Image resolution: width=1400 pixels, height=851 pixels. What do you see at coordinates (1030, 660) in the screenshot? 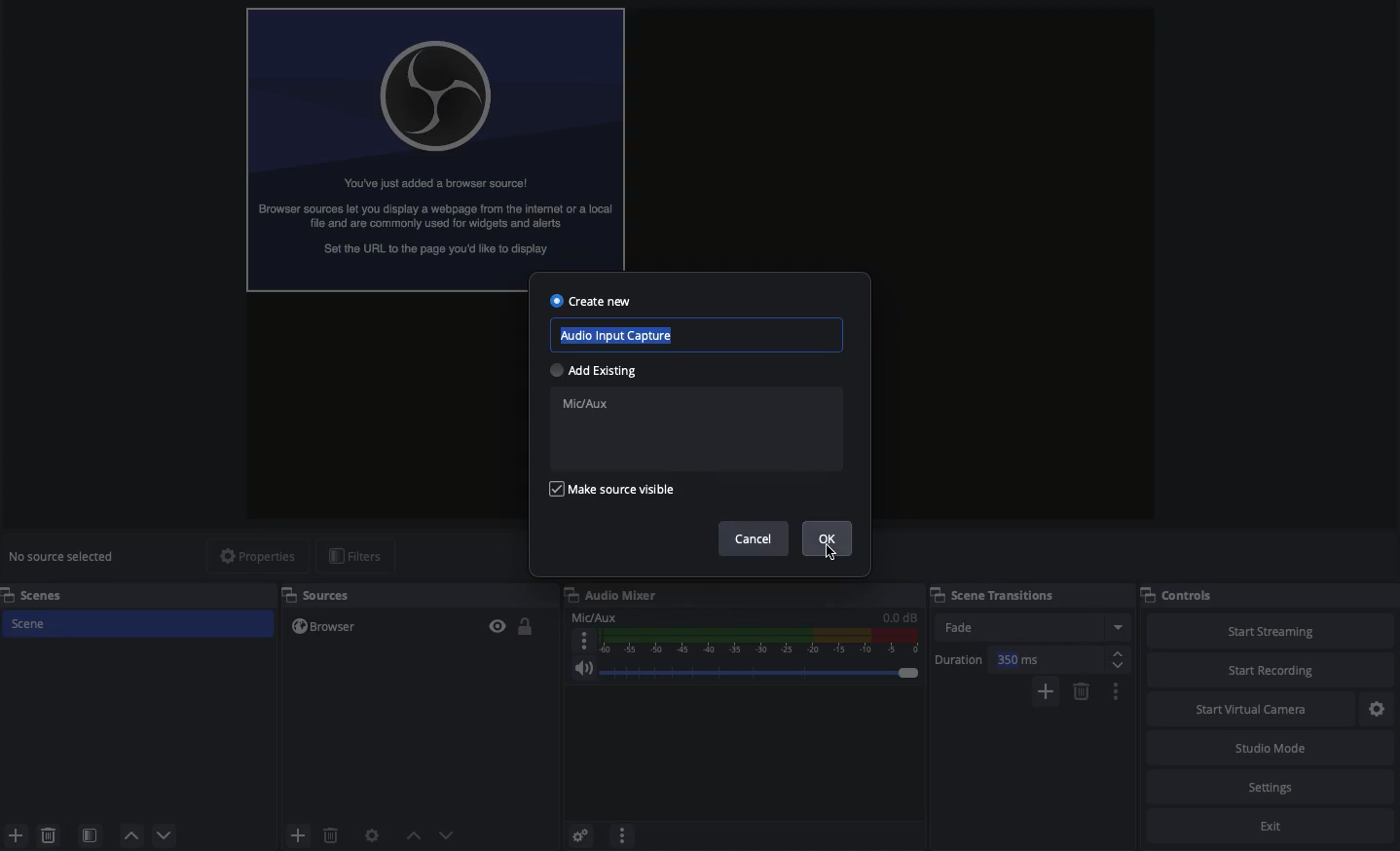
I see `Duration` at bounding box center [1030, 660].